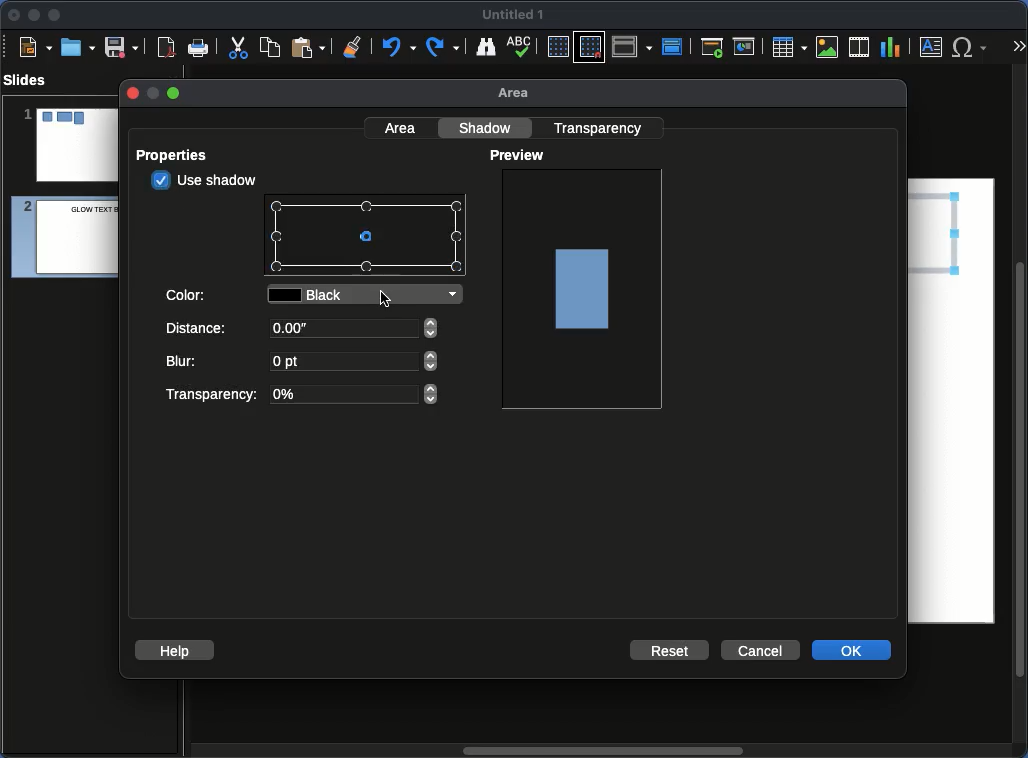 This screenshot has height=758, width=1028. What do you see at coordinates (828, 47) in the screenshot?
I see `Image` at bounding box center [828, 47].